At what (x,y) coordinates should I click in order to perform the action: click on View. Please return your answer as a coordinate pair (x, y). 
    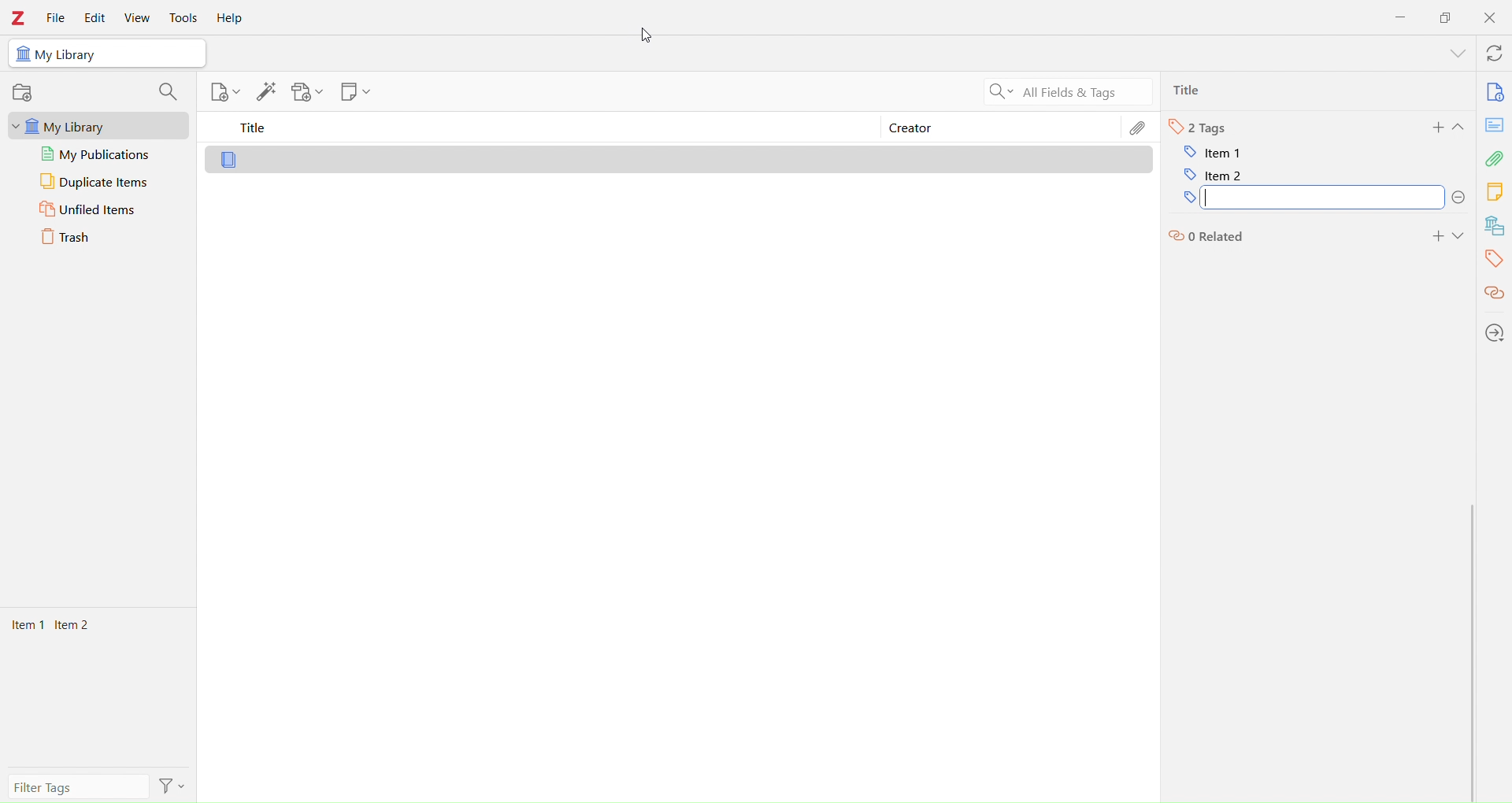
    Looking at the image, I should click on (140, 18).